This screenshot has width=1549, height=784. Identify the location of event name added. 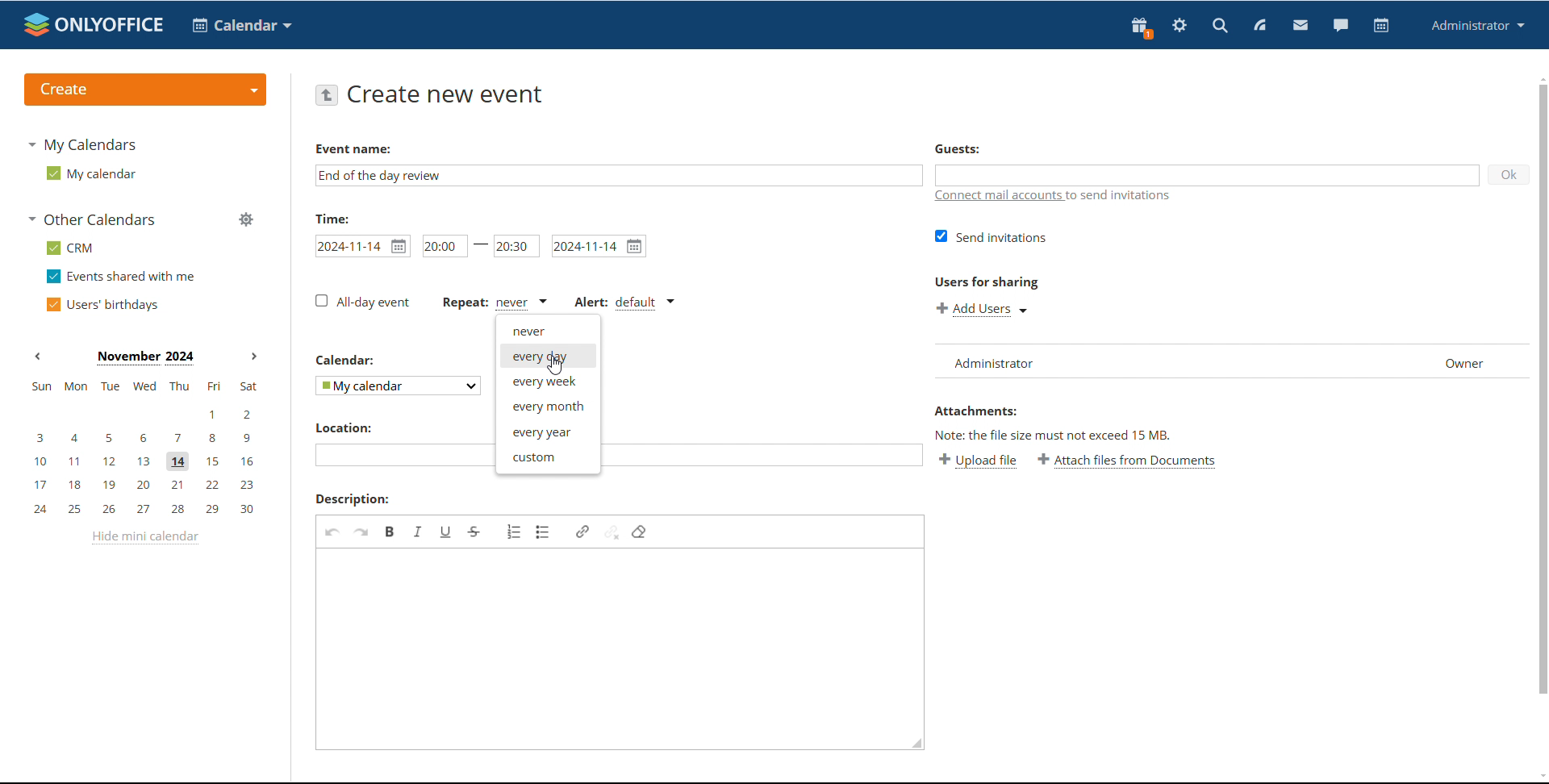
(381, 175).